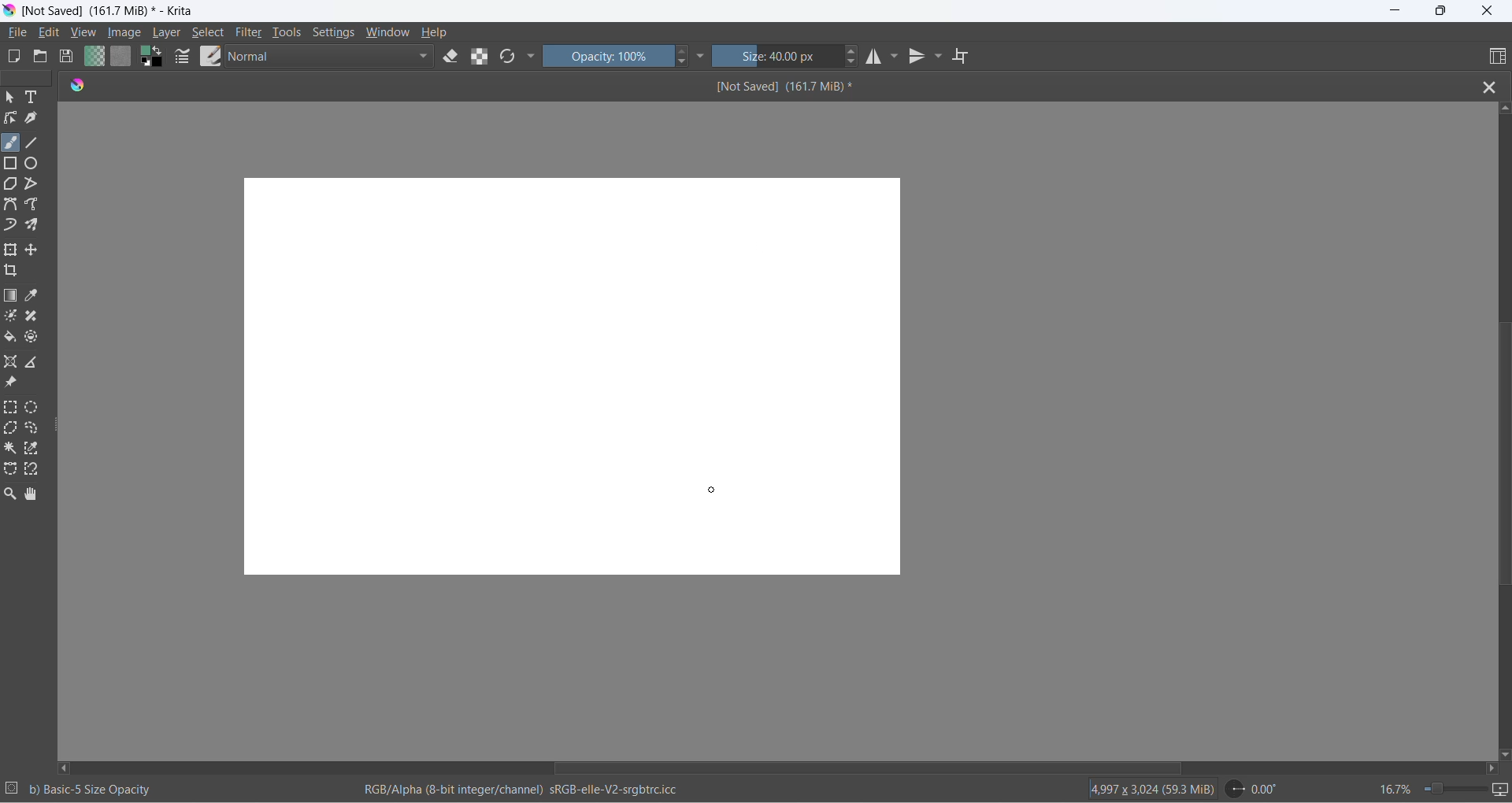 The image size is (1512, 803). Describe the element at coordinates (53, 33) in the screenshot. I see `edit` at that location.